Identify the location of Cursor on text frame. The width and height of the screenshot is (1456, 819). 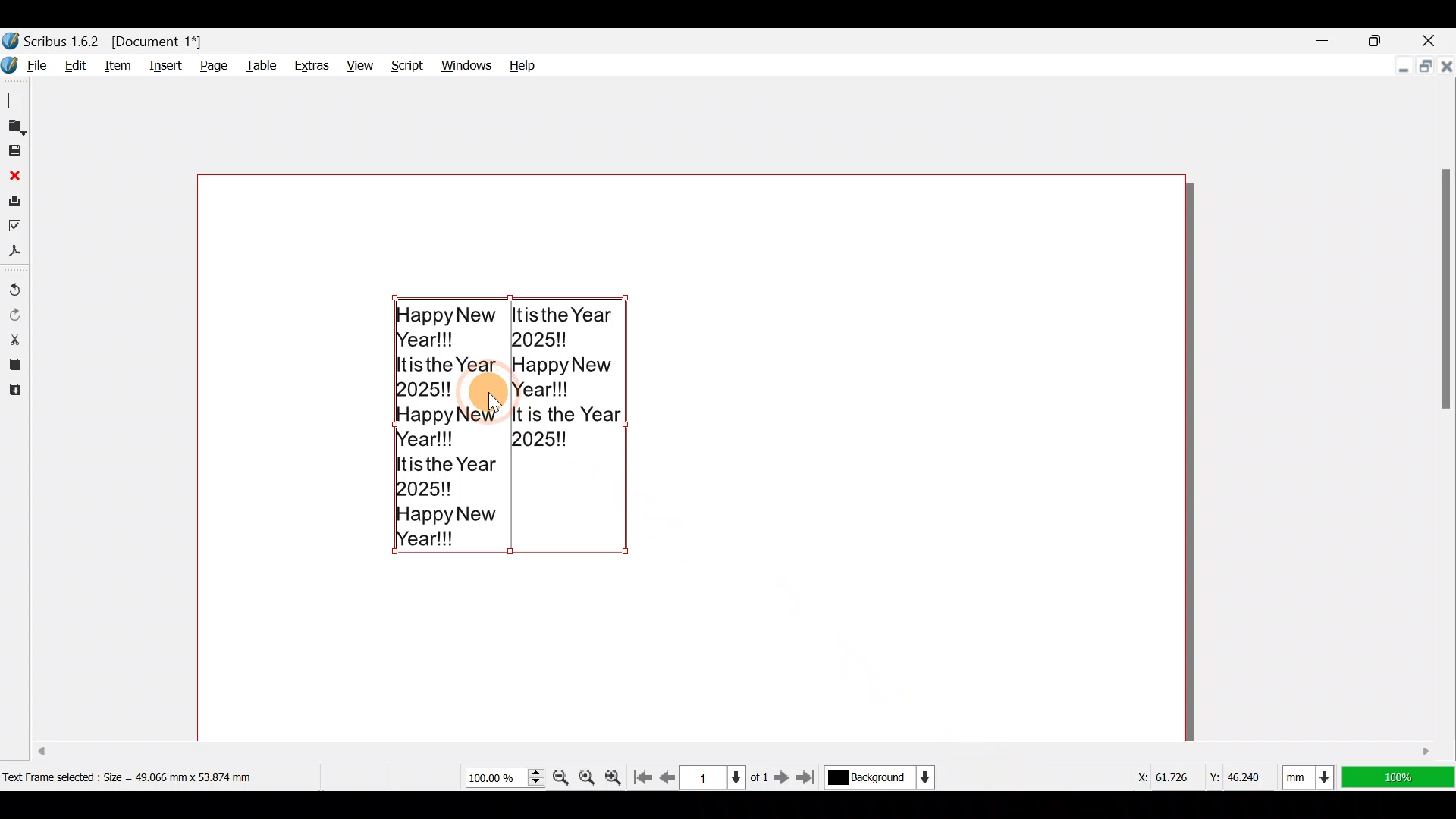
(492, 397).